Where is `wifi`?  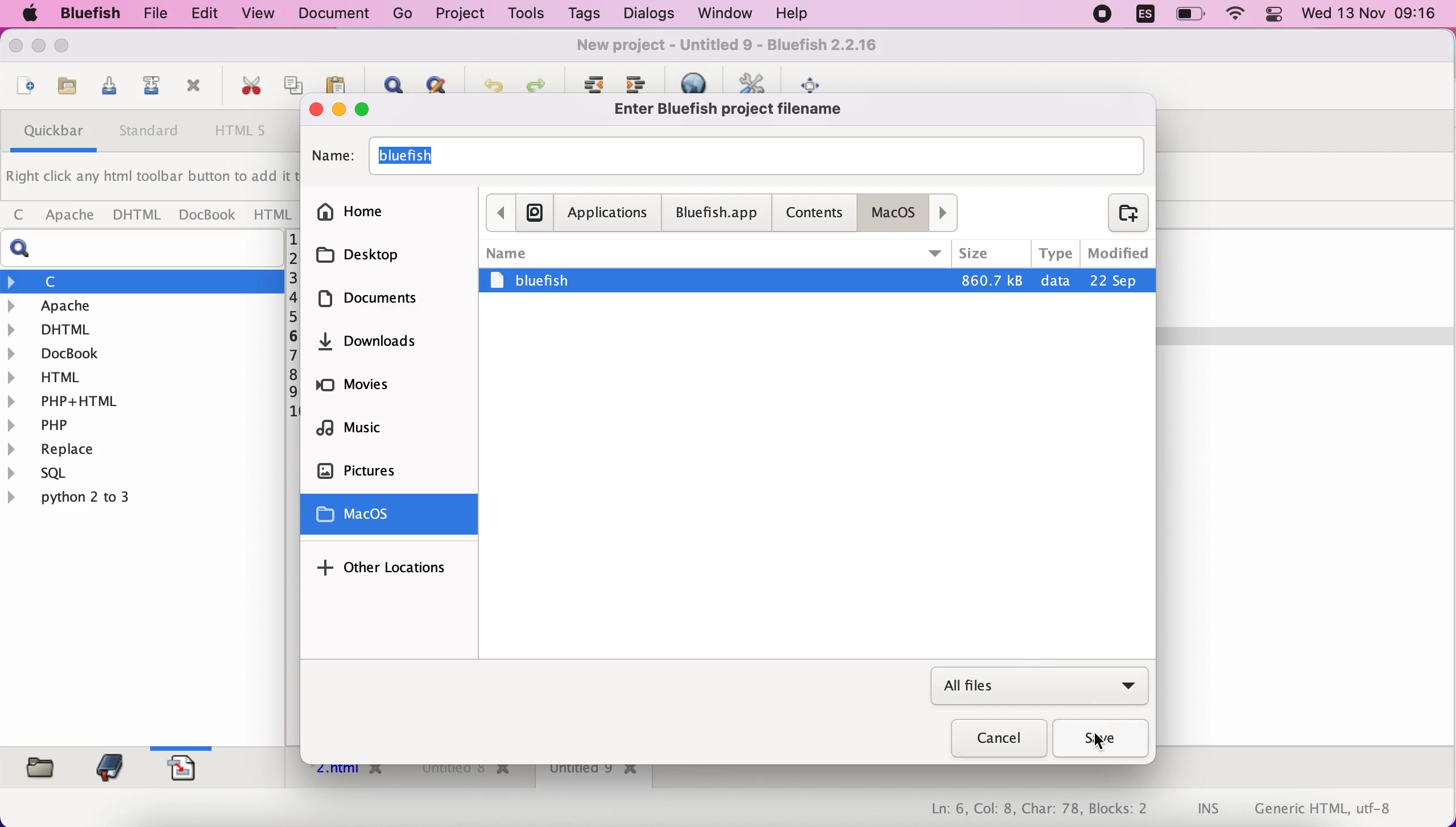 wifi is located at coordinates (1237, 15).